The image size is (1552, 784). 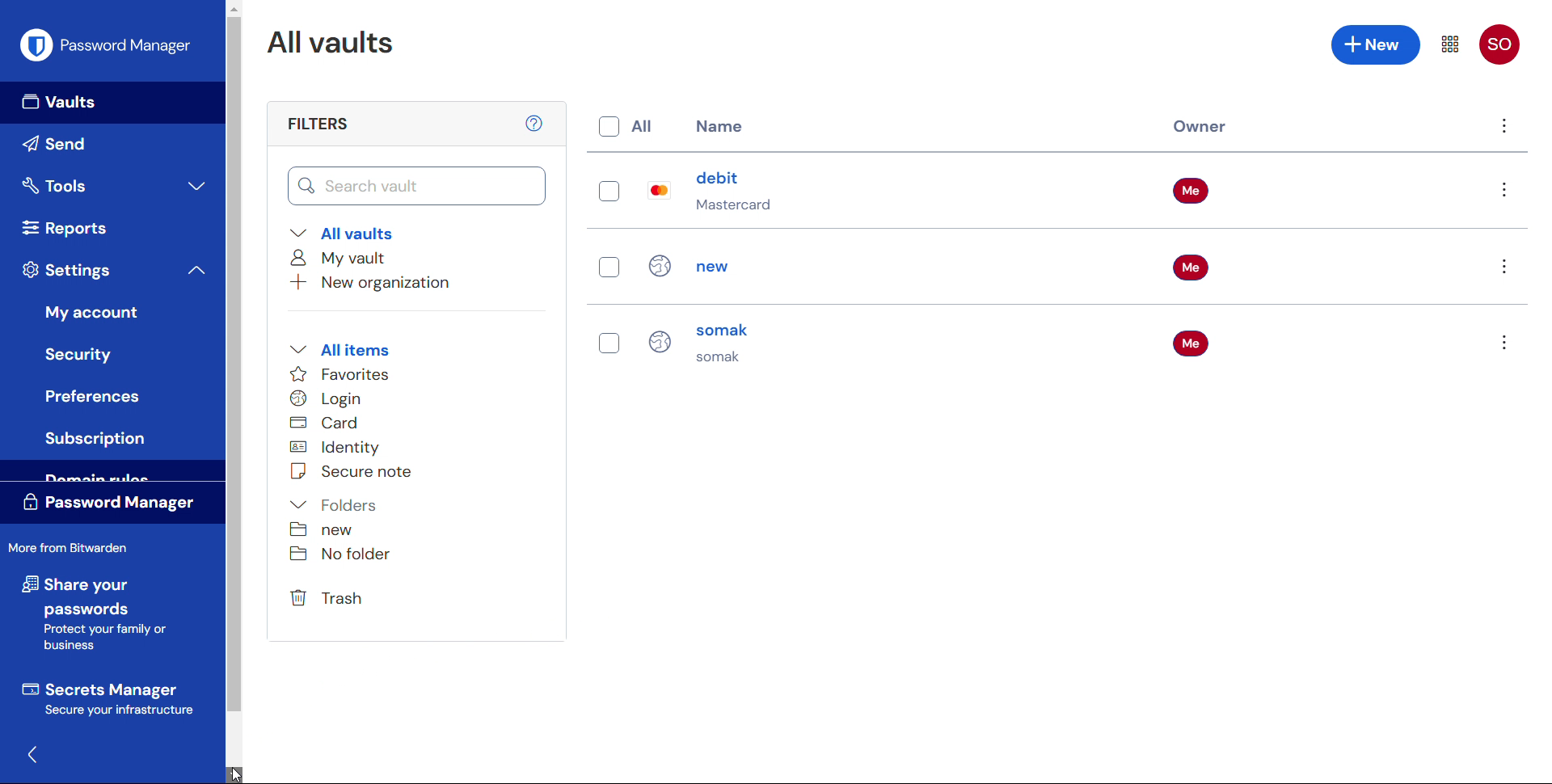 What do you see at coordinates (103, 44) in the screenshot?
I see `Password manager ` at bounding box center [103, 44].